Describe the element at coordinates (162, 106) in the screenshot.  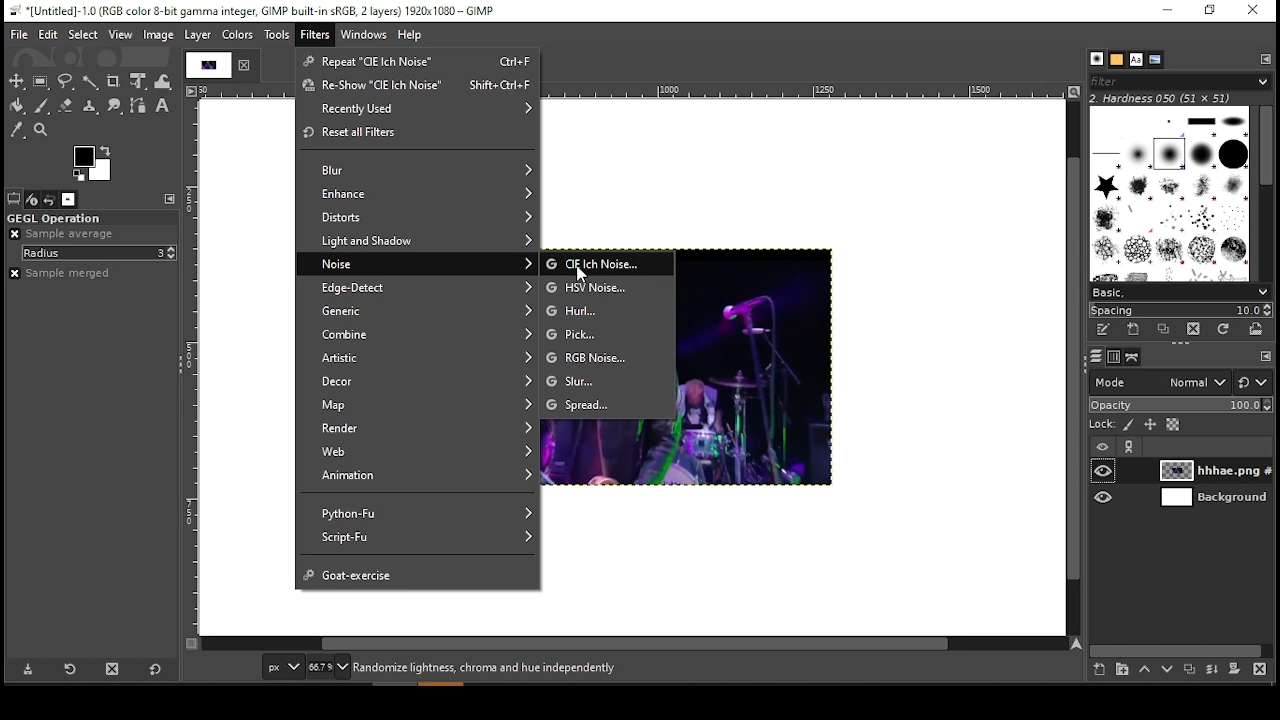
I see `text tool` at that location.